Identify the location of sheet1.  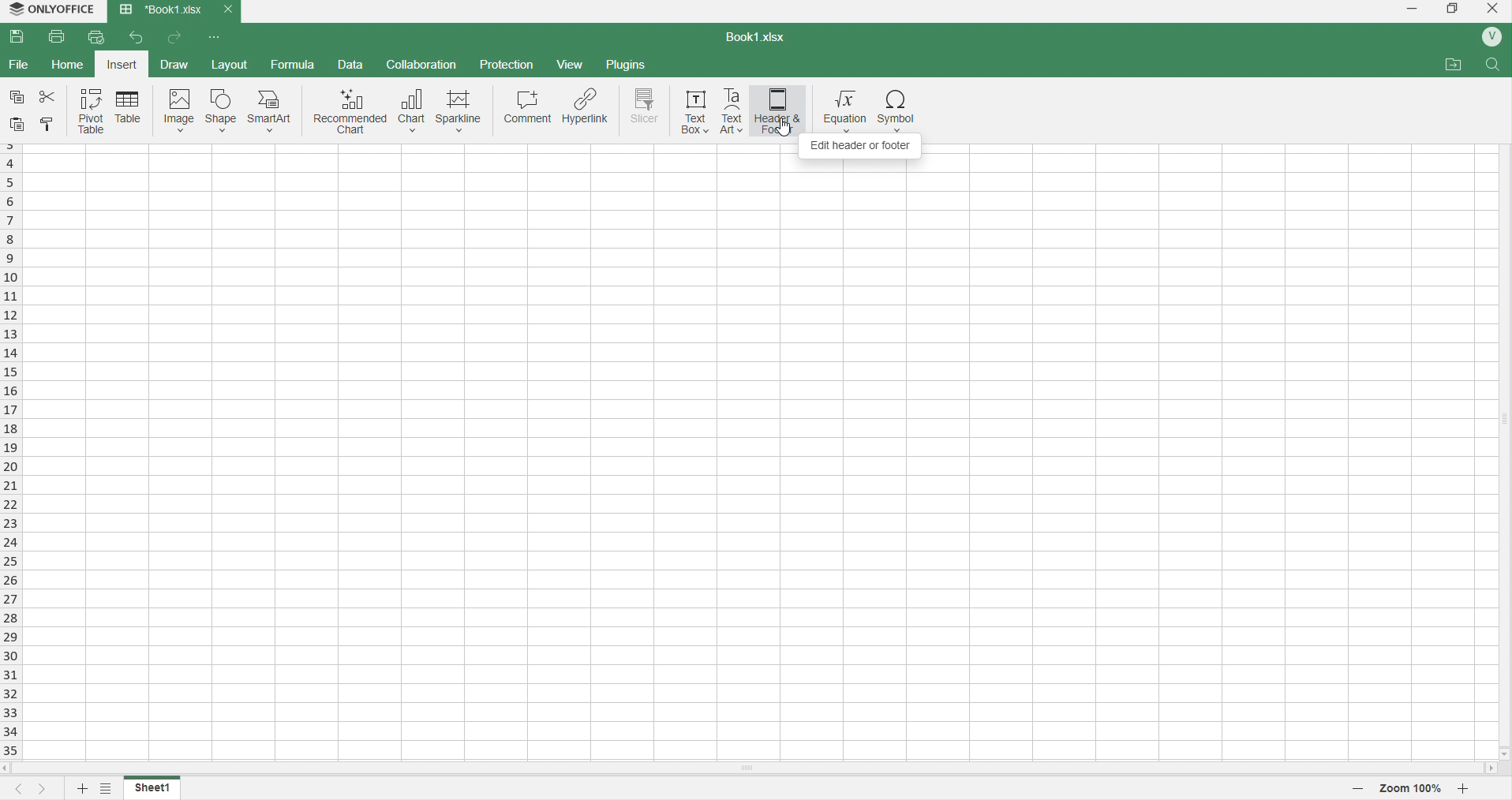
(154, 787).